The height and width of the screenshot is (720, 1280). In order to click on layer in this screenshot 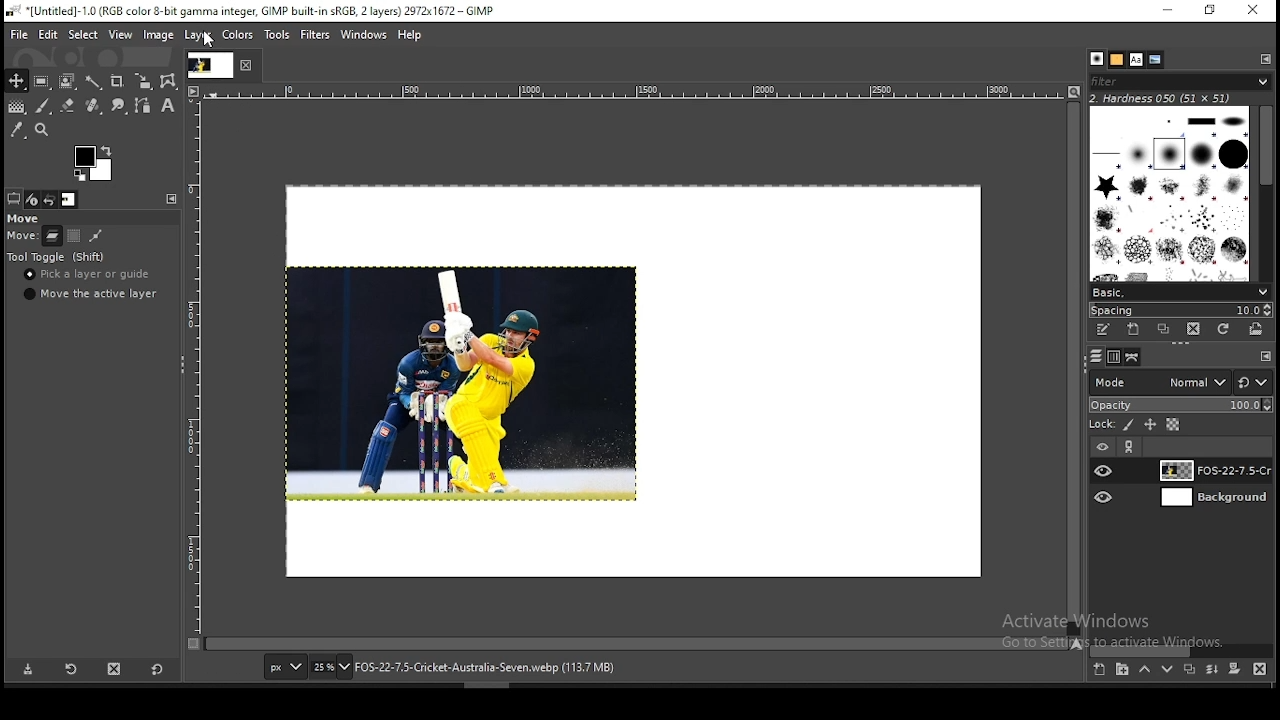, I will do `click(196, 36)`.